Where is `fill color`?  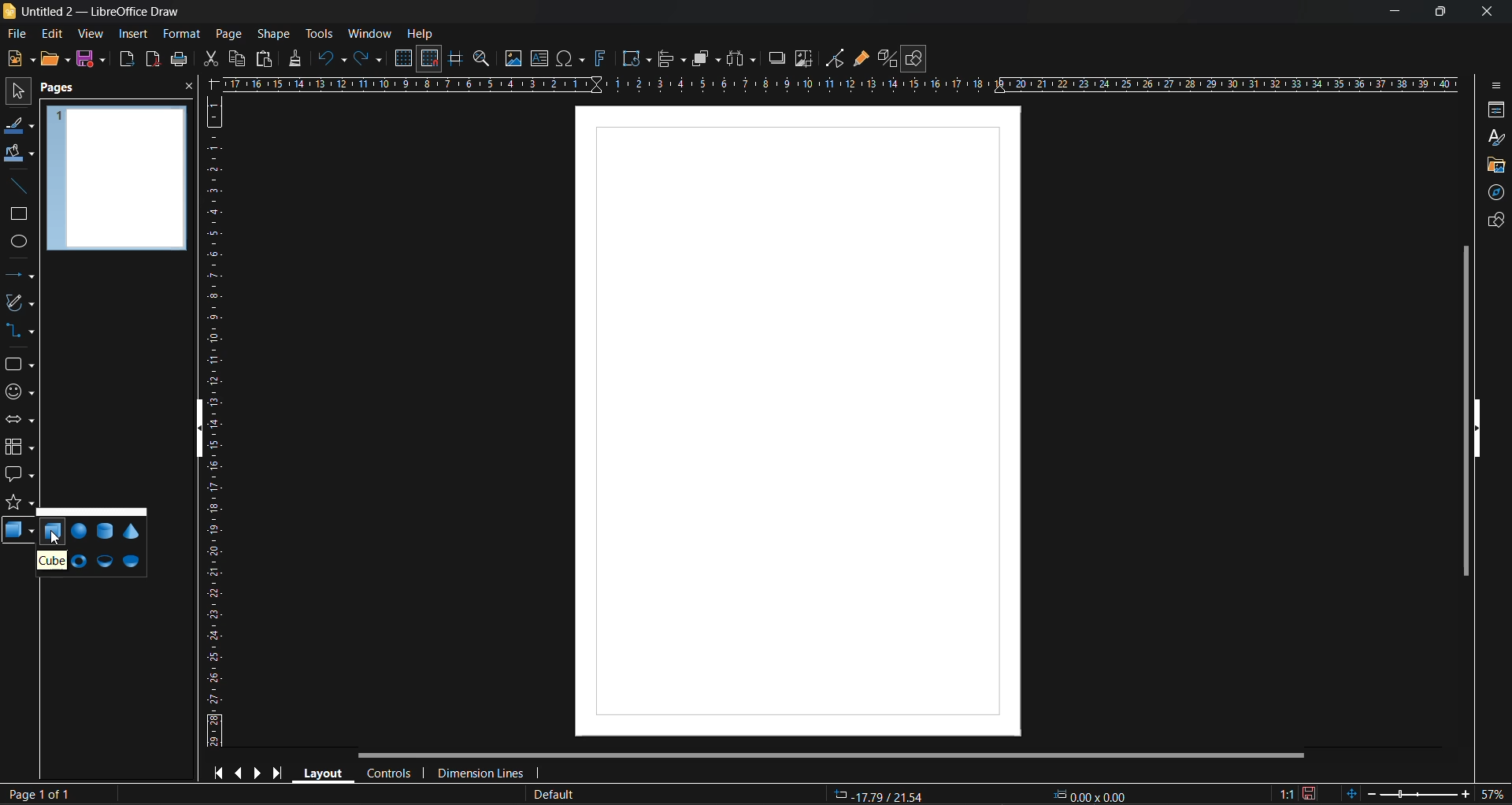
fill color is located at coordinates (19, 154).